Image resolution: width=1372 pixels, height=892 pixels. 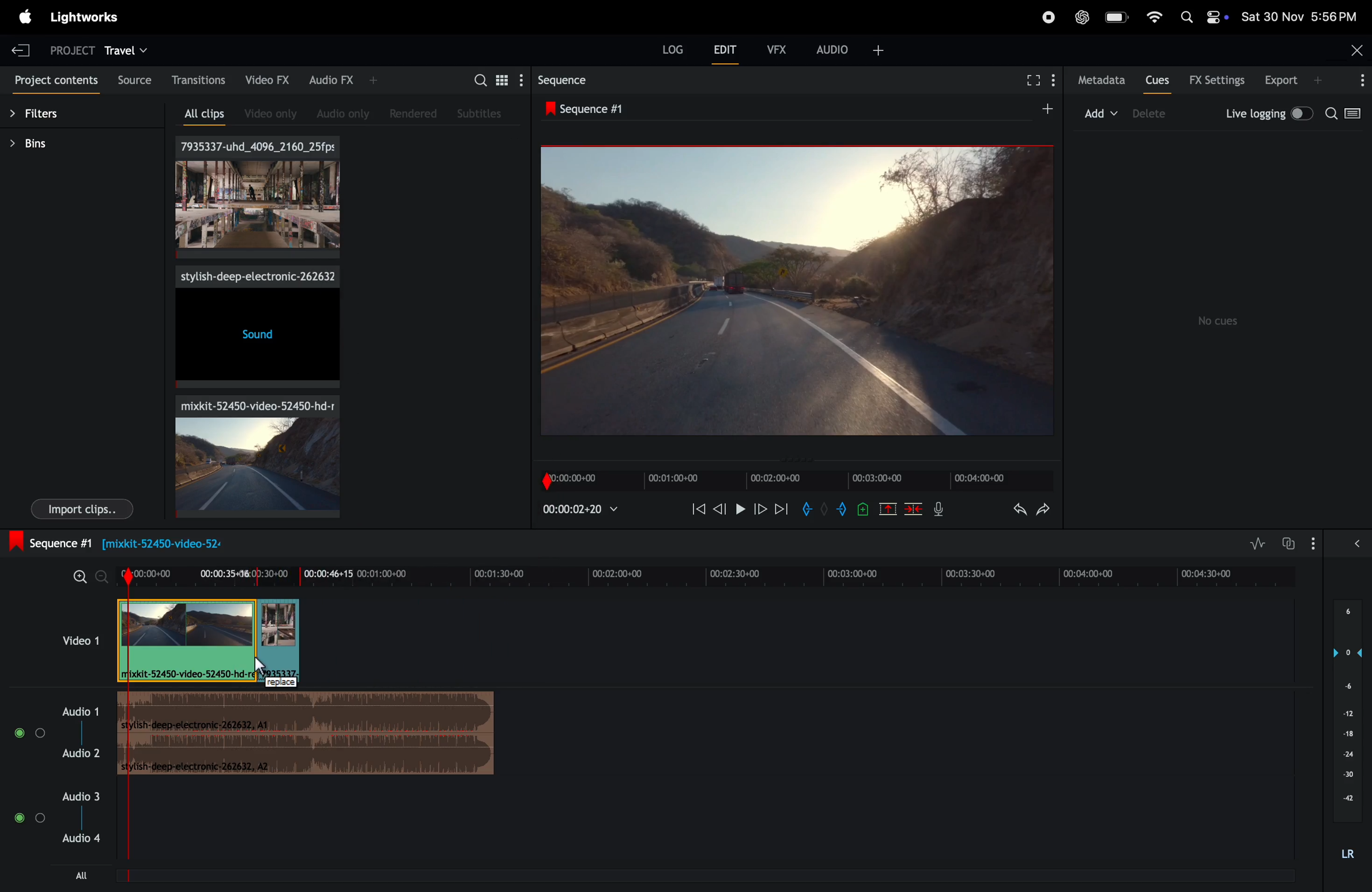 I want to click on audio fx, so click(x=336, y=80).